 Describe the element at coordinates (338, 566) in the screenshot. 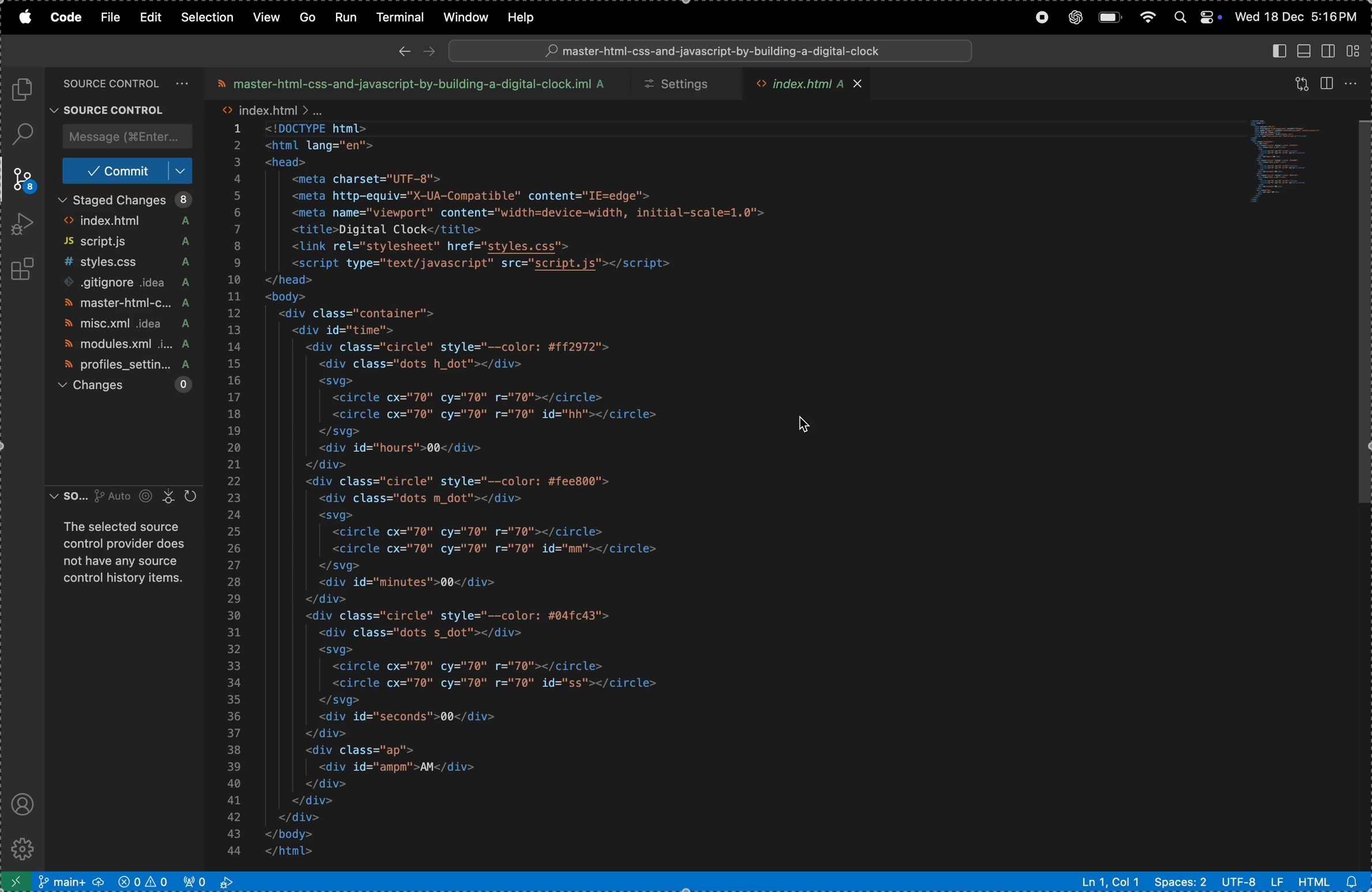

I see `</svg>` at that location.